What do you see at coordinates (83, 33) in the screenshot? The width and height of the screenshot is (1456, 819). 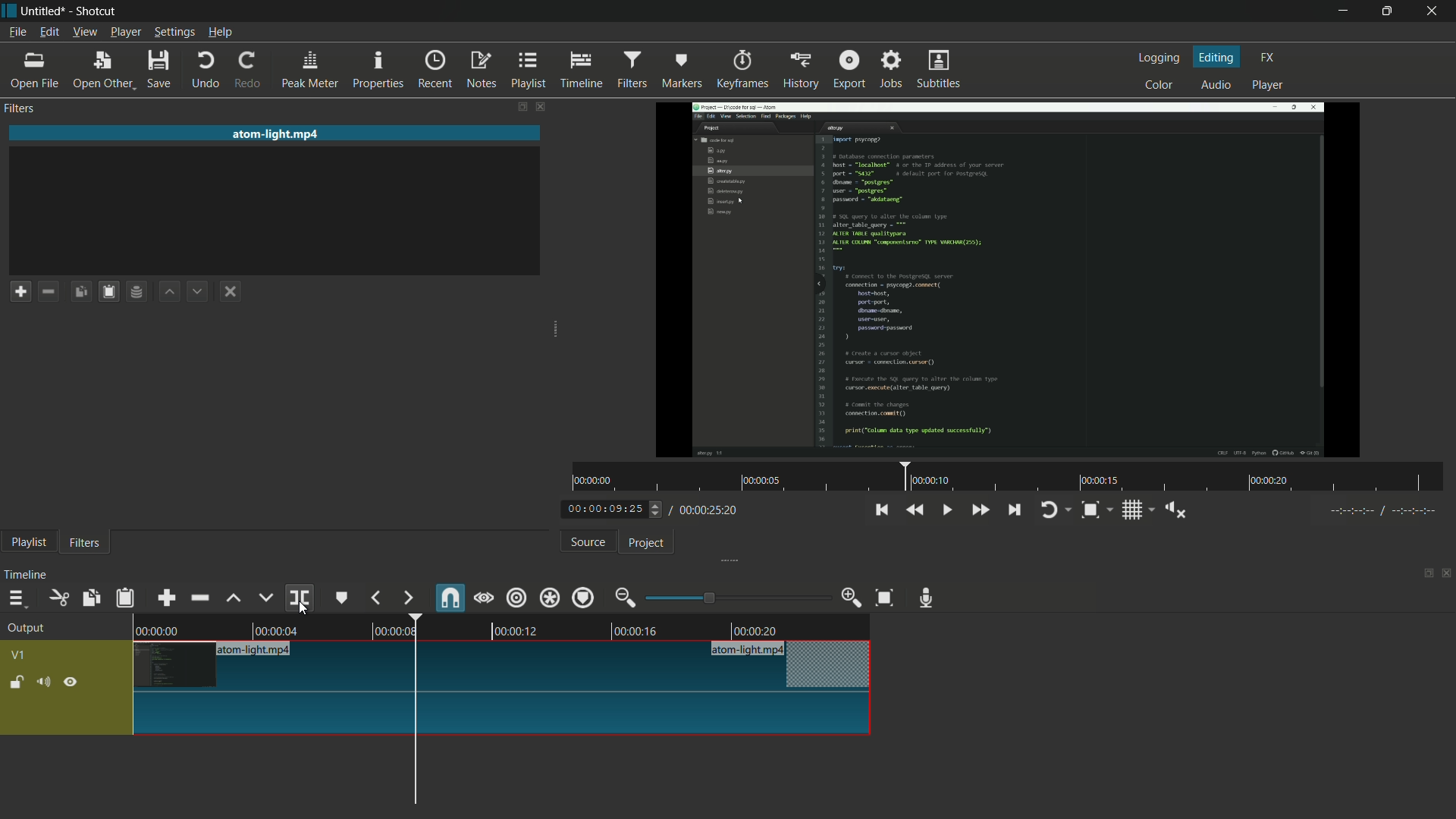 I see `view menu` at bounding box center [83, 33].